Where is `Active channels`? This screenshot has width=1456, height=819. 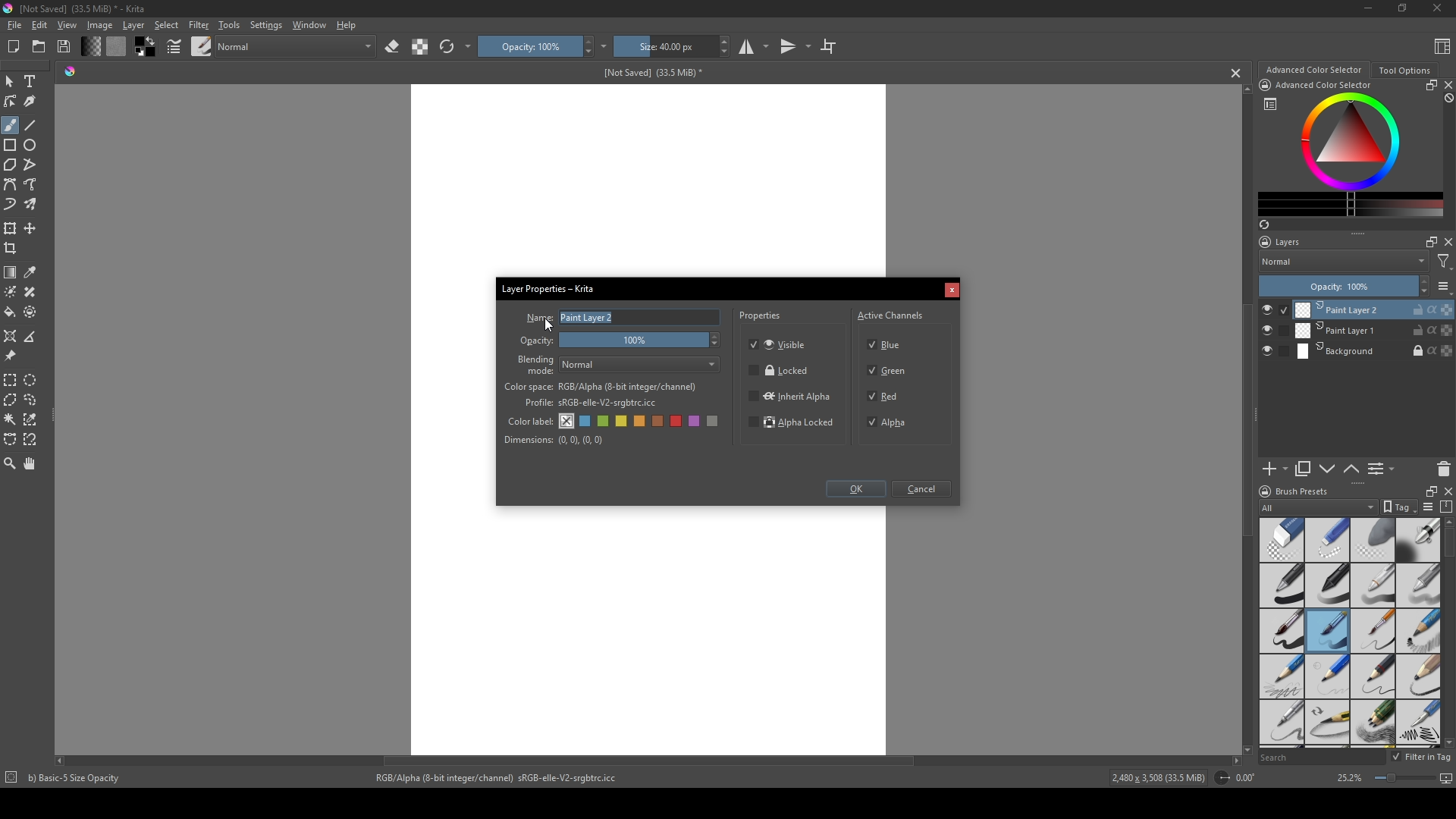
Active channels is located at coordinates (891, 313).